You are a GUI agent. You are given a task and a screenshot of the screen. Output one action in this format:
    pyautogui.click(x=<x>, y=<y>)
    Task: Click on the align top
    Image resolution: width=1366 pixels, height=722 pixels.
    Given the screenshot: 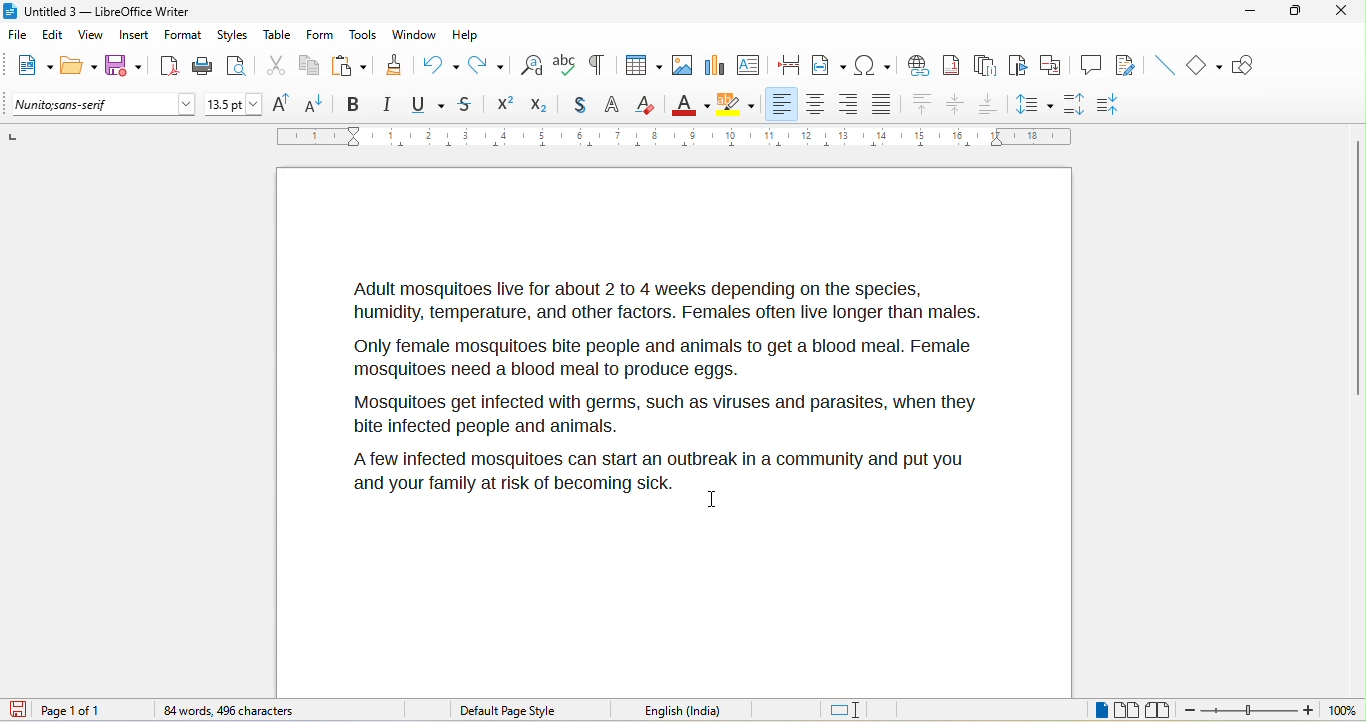 What is the action you would take?
    pyautogui.click(x=923, y=105)
    